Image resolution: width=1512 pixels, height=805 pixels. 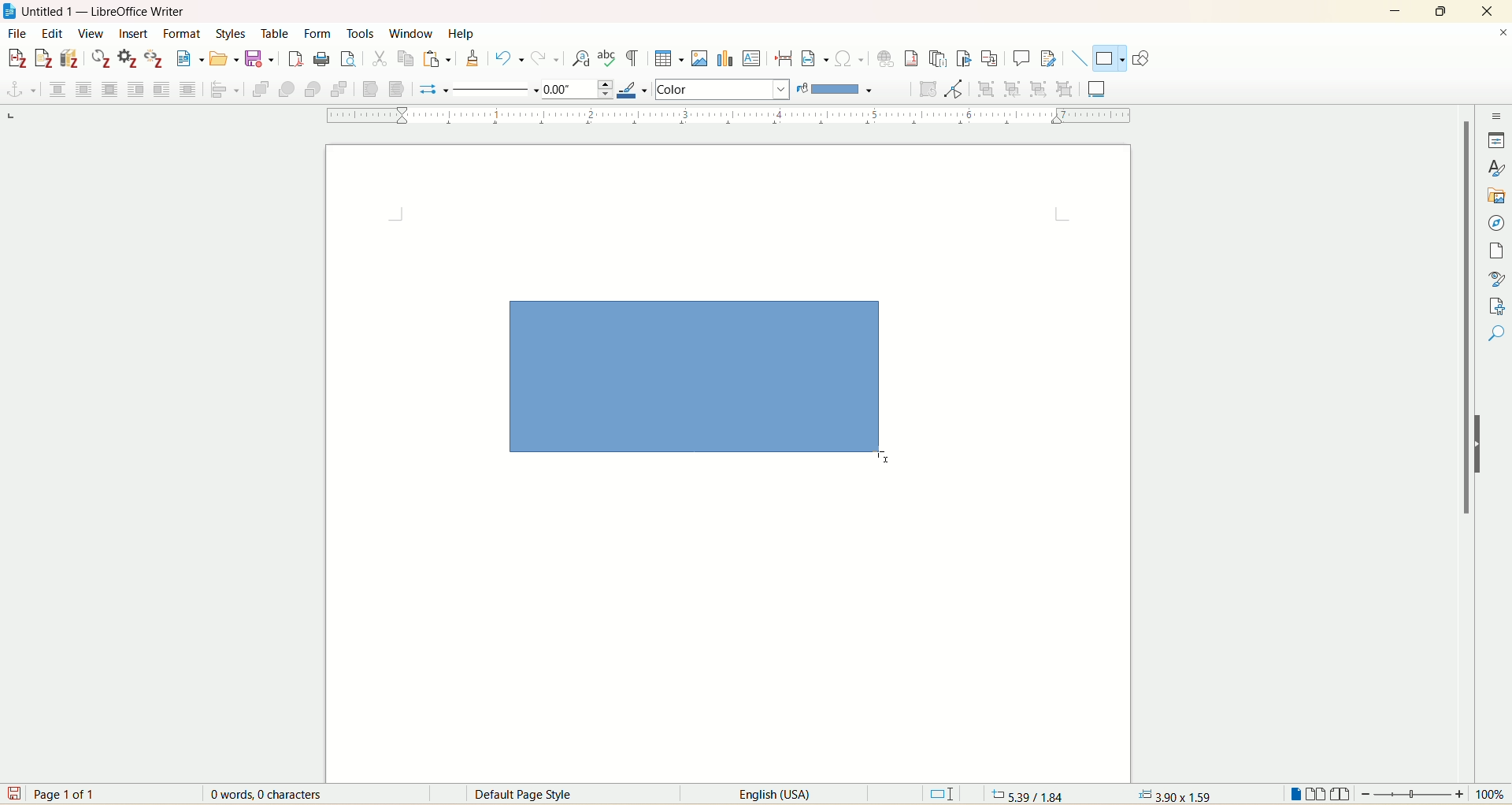 What do you see at coordinates (632, 59) in the screenshot?
I see `toggle formatting` at bounding box center [632, 59].